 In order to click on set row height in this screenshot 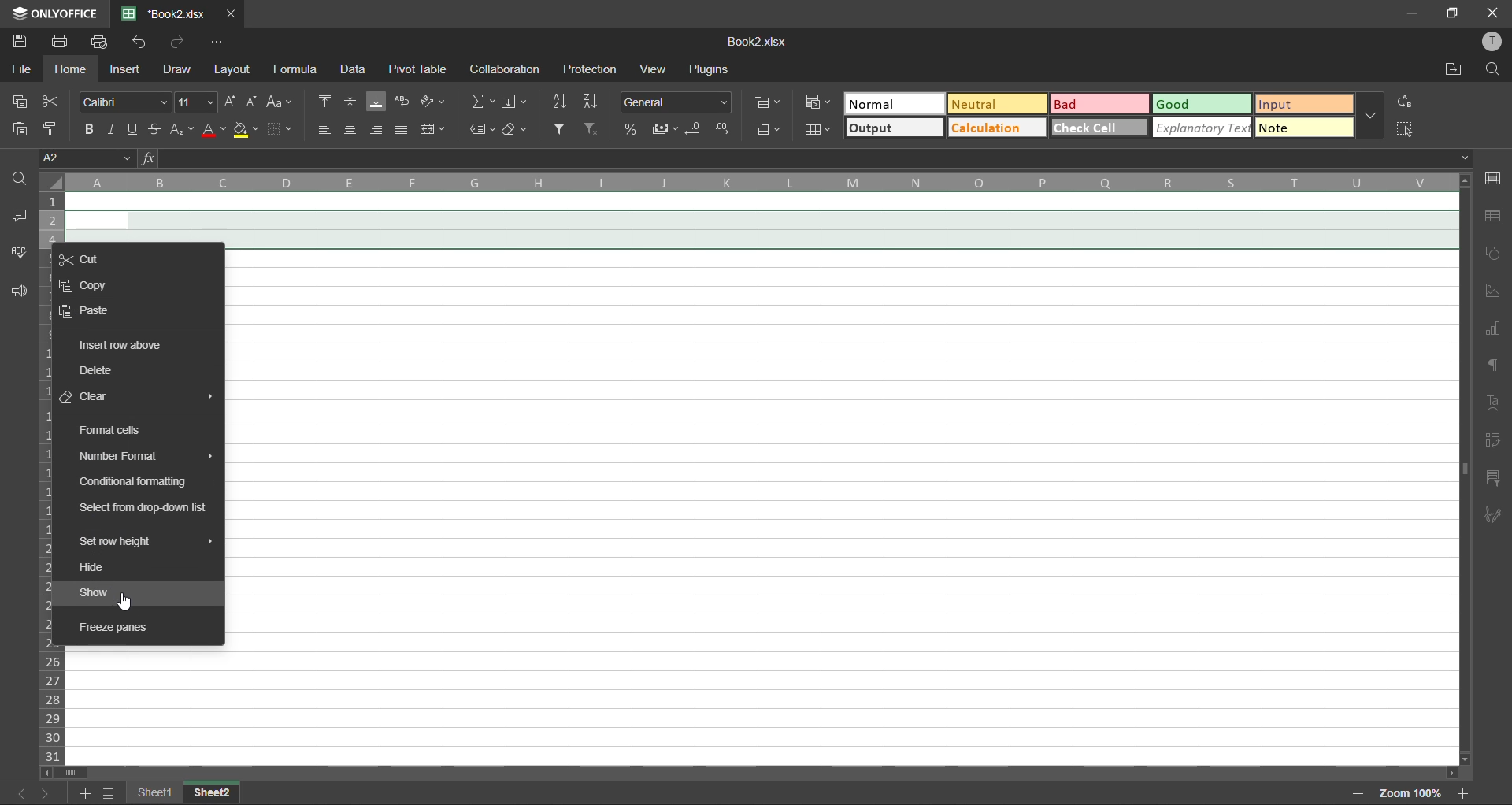, I will do `click(116, 542)`.